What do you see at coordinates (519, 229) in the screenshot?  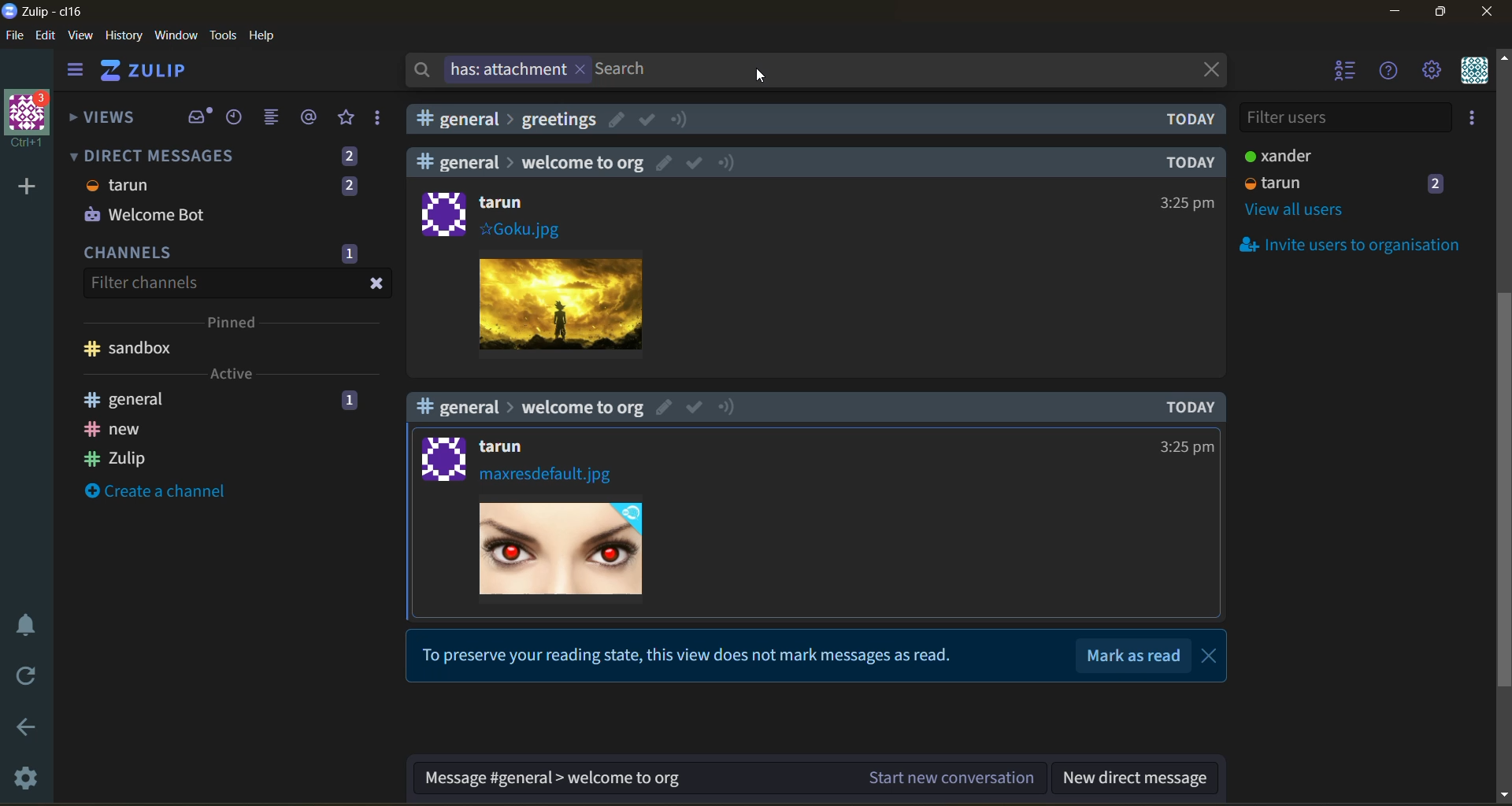 I see `#Goku.jpg` at bounding box center [519, 229].